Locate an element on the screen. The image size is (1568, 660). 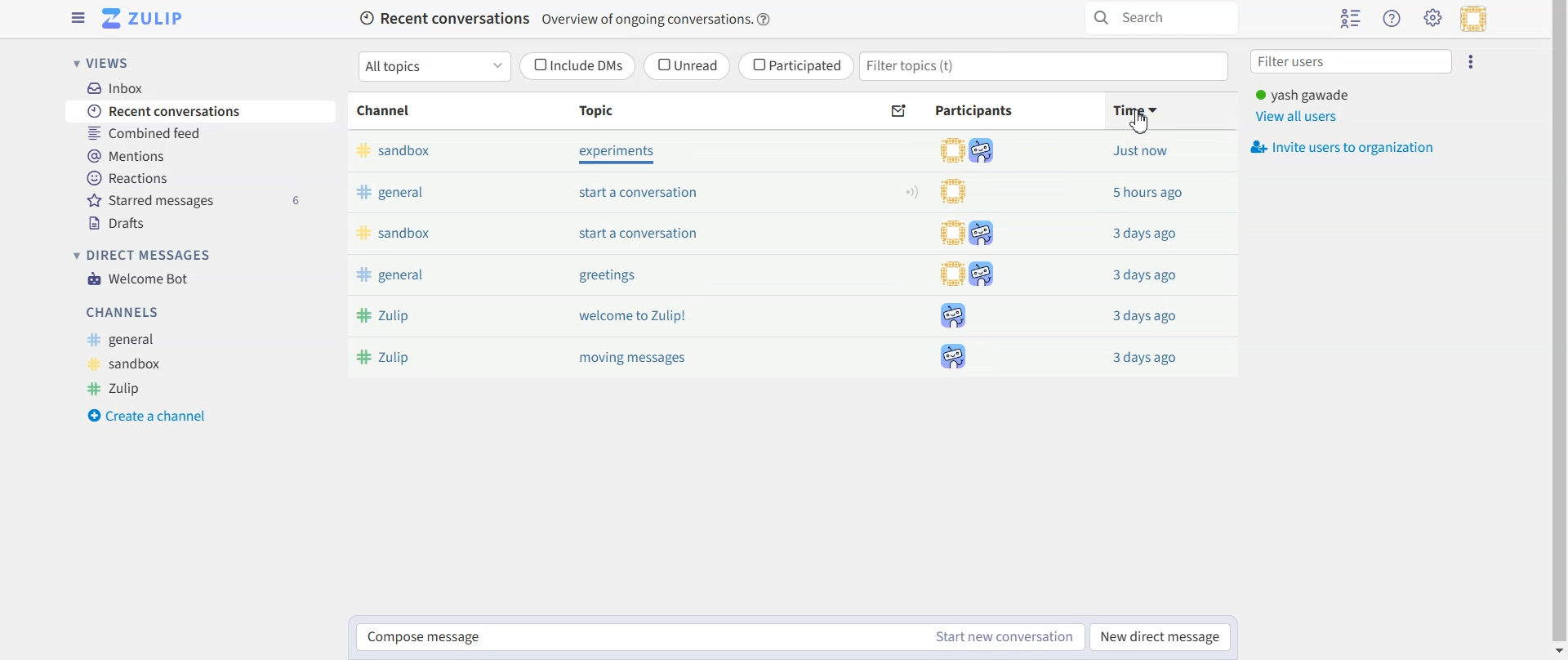
Search is located at coordinates (1160, 19).